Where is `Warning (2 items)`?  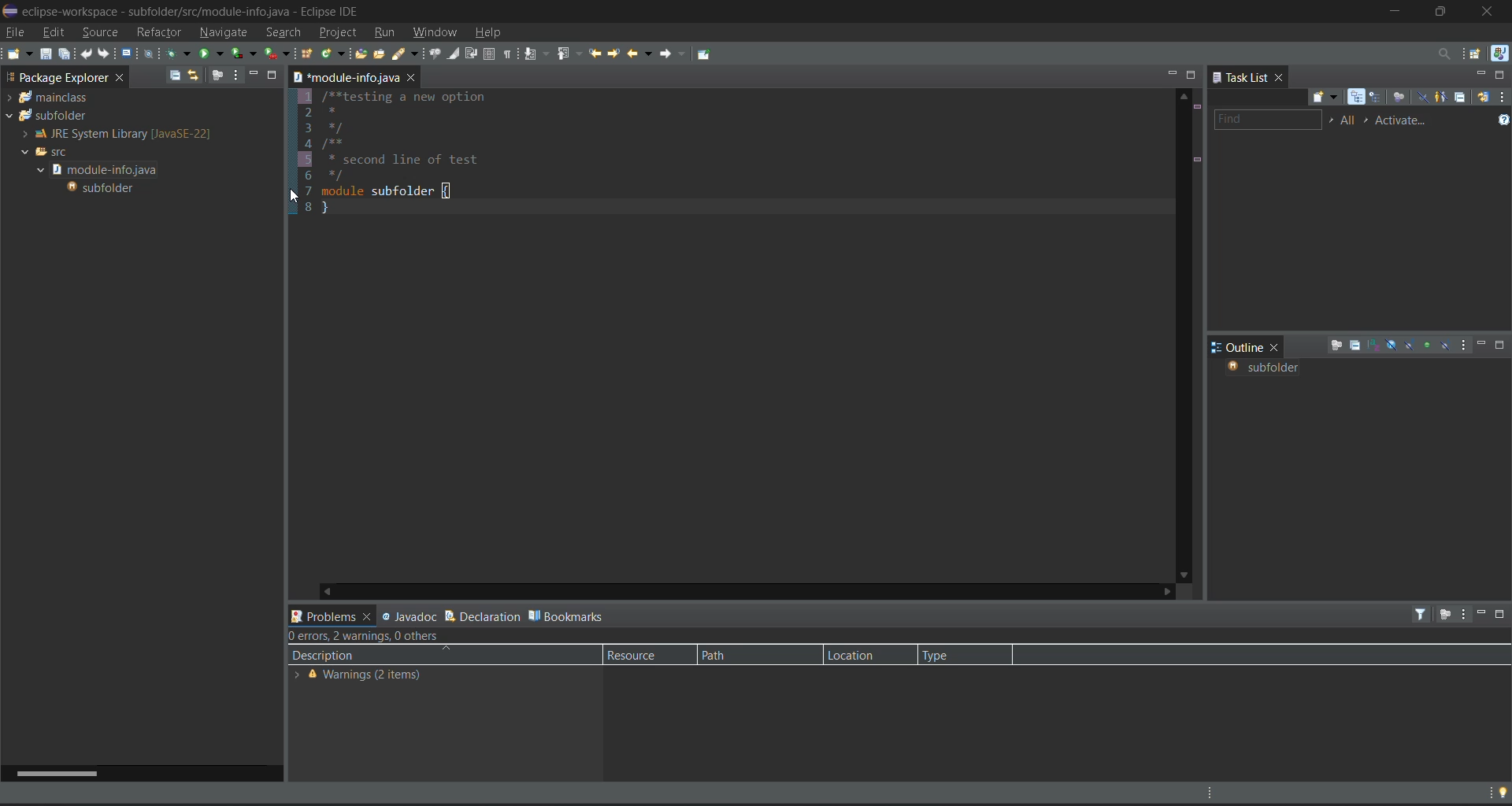
Warning (2 items) is located at coordinates (362, 677).